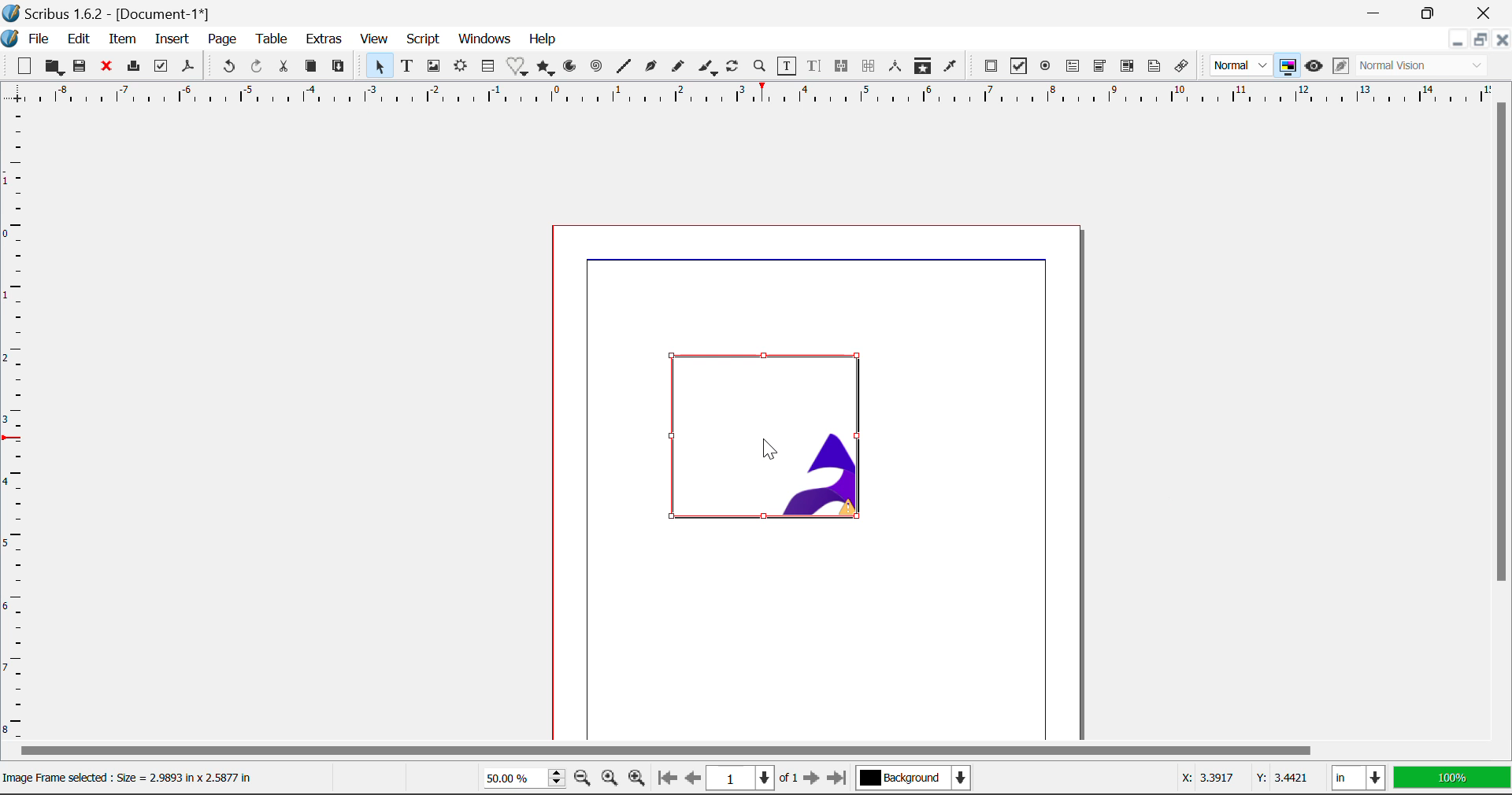  Describe the element at coordinates (221, 39) in the screenshot. I see `Page` at that location.